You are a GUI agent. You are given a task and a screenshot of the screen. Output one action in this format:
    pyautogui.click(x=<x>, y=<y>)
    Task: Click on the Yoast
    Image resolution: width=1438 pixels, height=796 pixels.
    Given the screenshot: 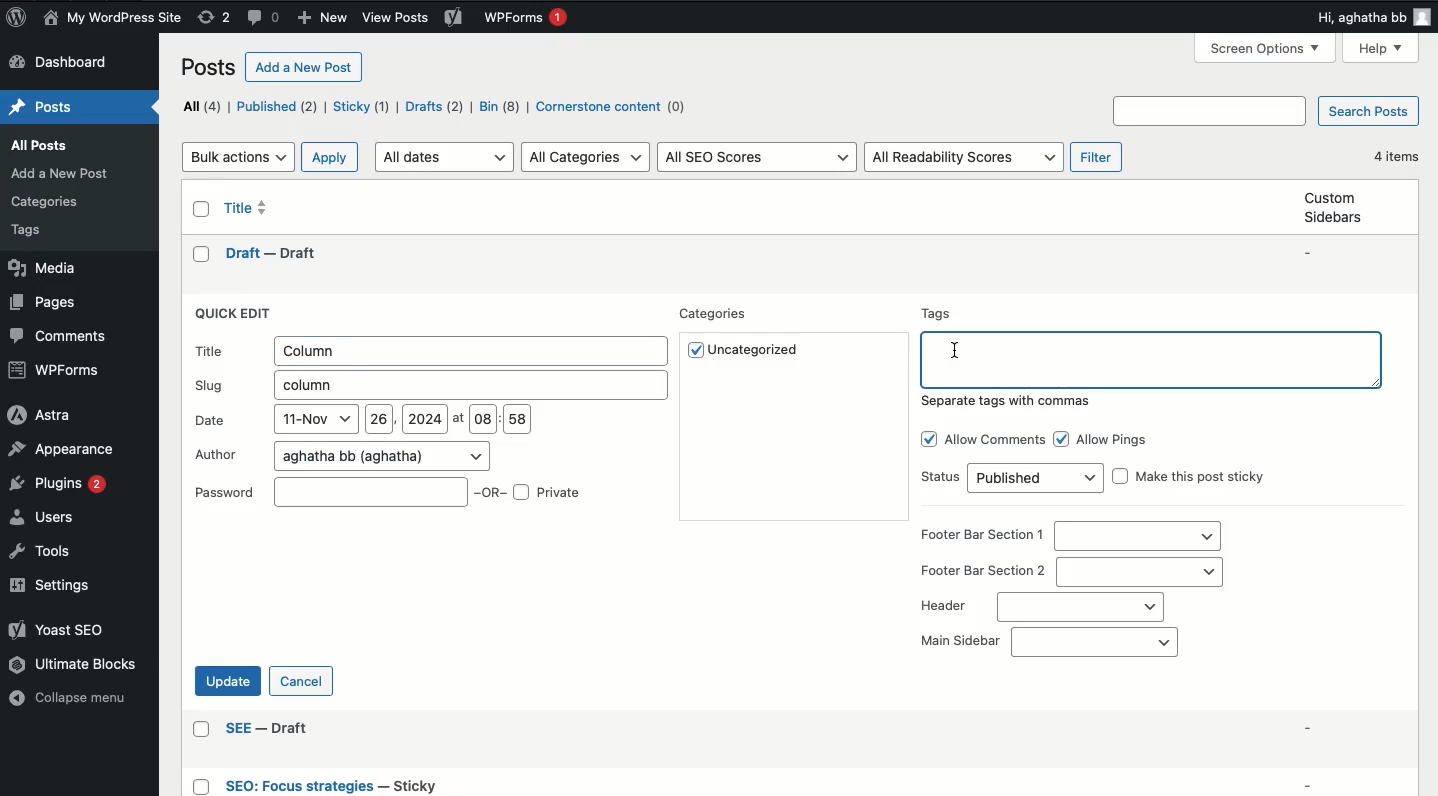 What is the action you would take?
    pyautogui.click(x=63, y=633)
    